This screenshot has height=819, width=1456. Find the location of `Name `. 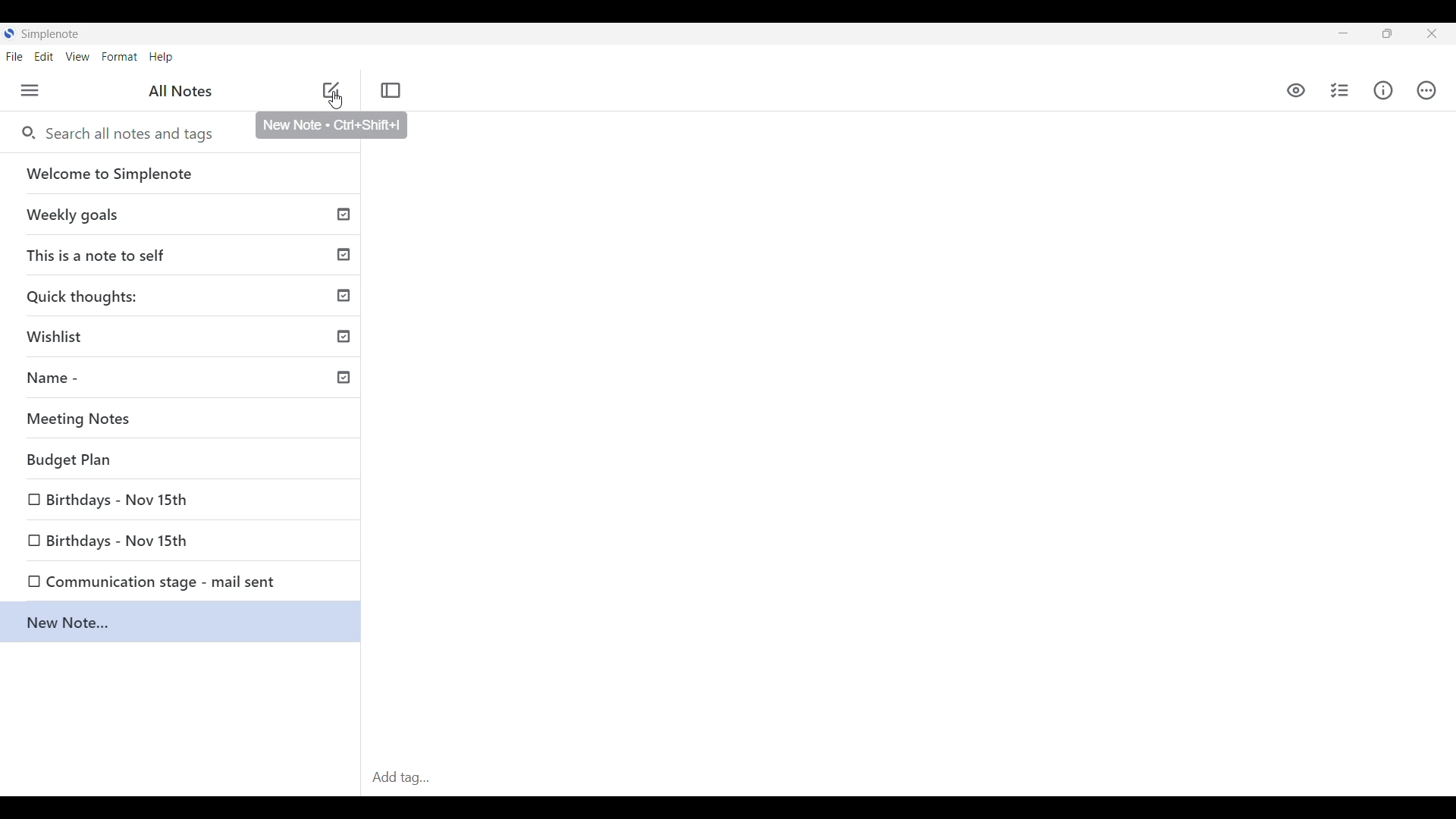

Name  is located at coordinates (187, 380).